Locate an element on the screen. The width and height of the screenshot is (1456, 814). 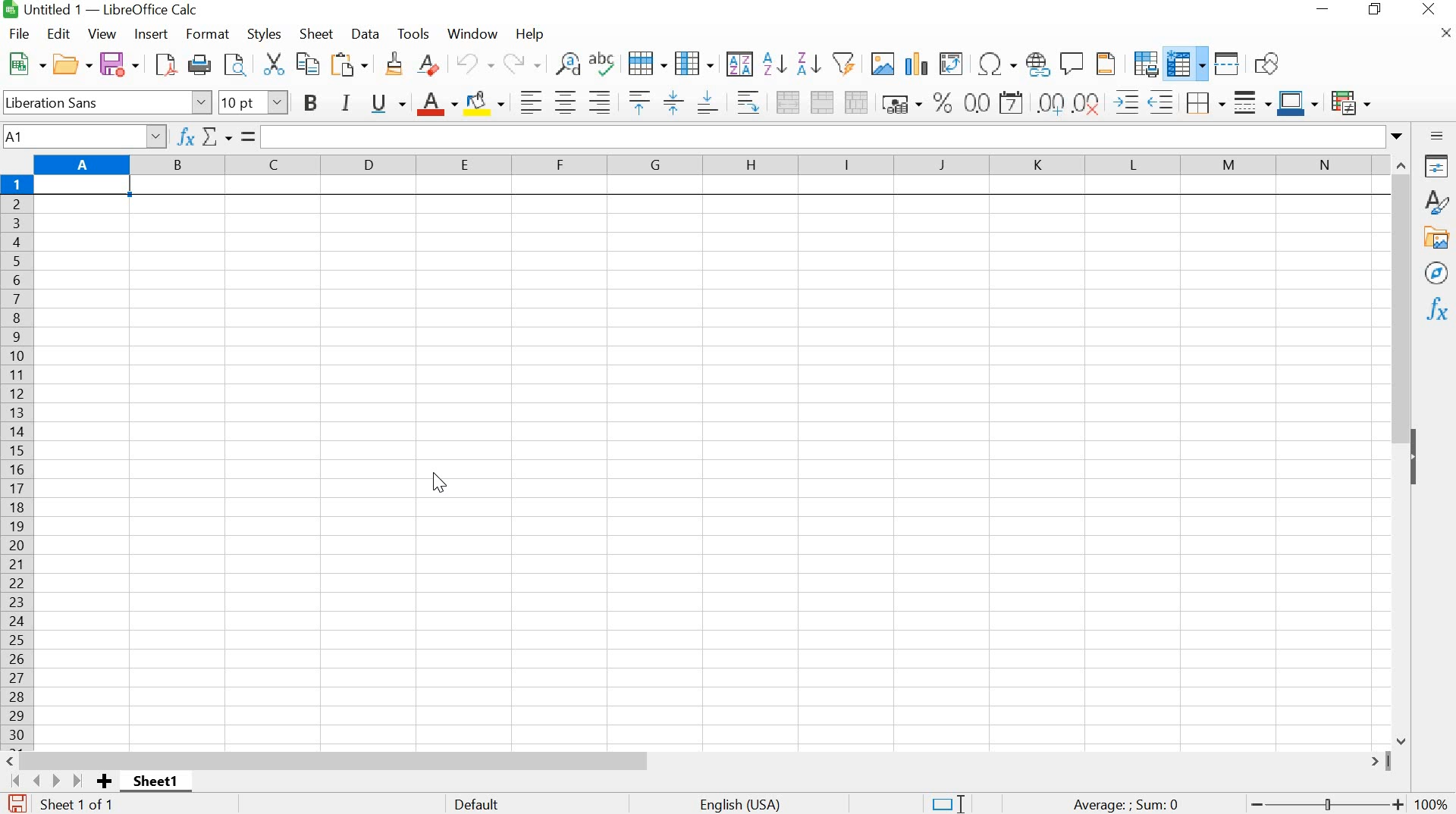
DEFINE PRINT AREA is located at coordinates (1145, 63).